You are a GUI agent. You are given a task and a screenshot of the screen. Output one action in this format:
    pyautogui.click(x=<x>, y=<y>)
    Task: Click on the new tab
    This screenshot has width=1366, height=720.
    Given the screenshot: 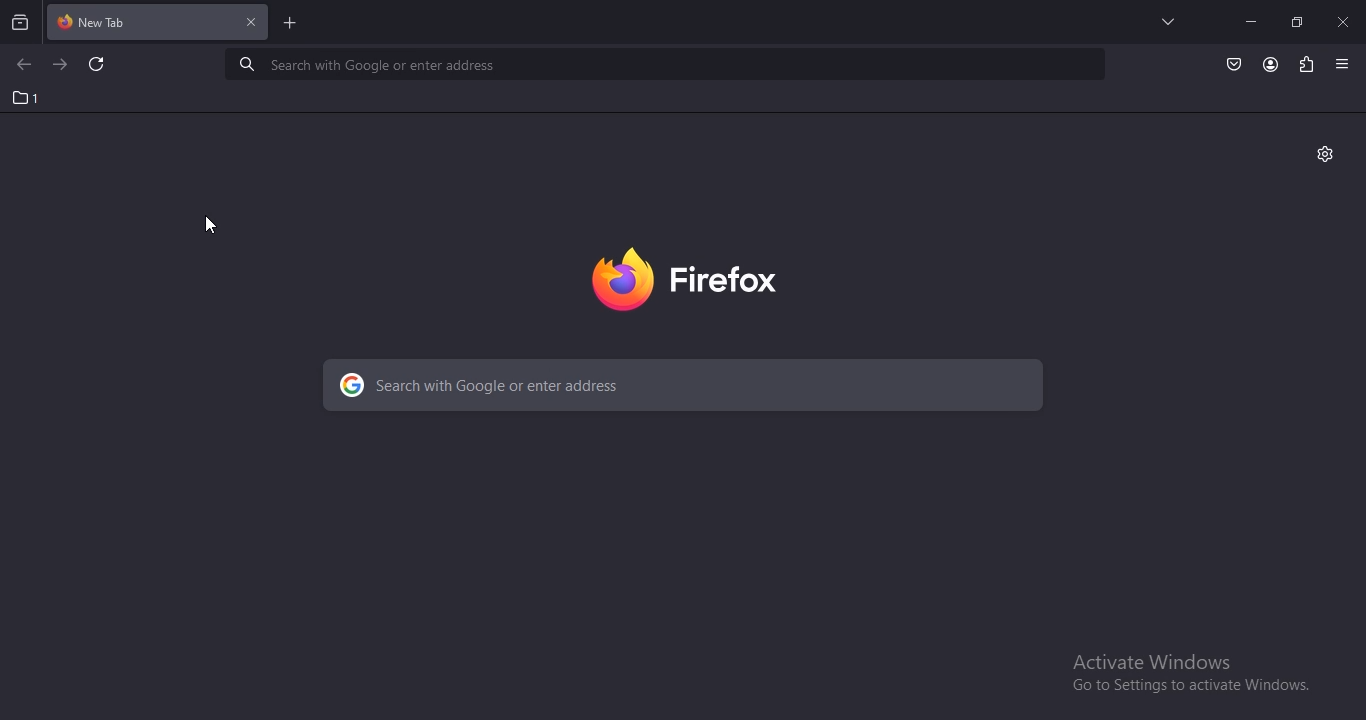 What is the action you would take?
    pyautogui.click(x=291, y=25)
    